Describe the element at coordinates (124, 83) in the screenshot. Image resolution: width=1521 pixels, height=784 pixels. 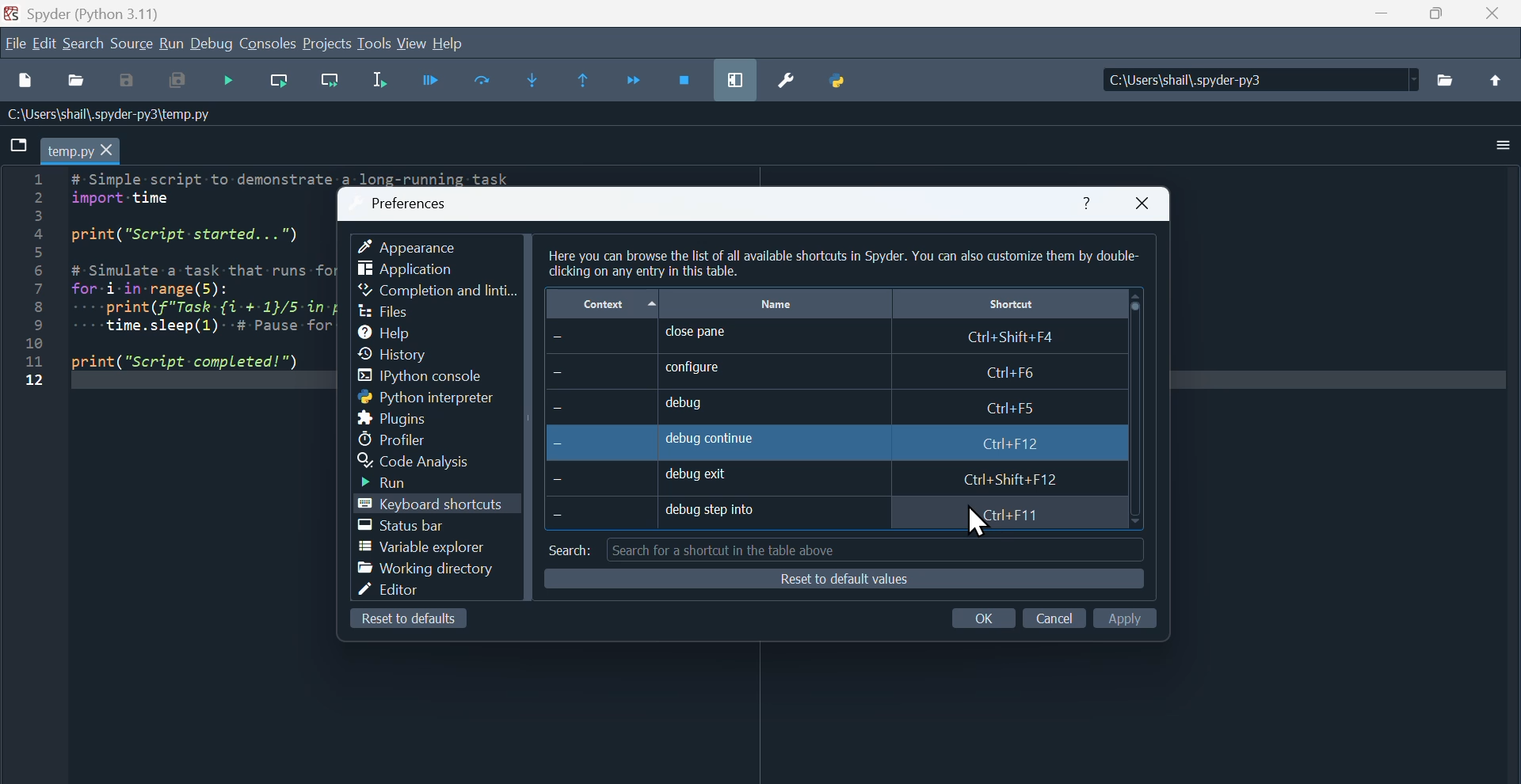
I see `` at that location.